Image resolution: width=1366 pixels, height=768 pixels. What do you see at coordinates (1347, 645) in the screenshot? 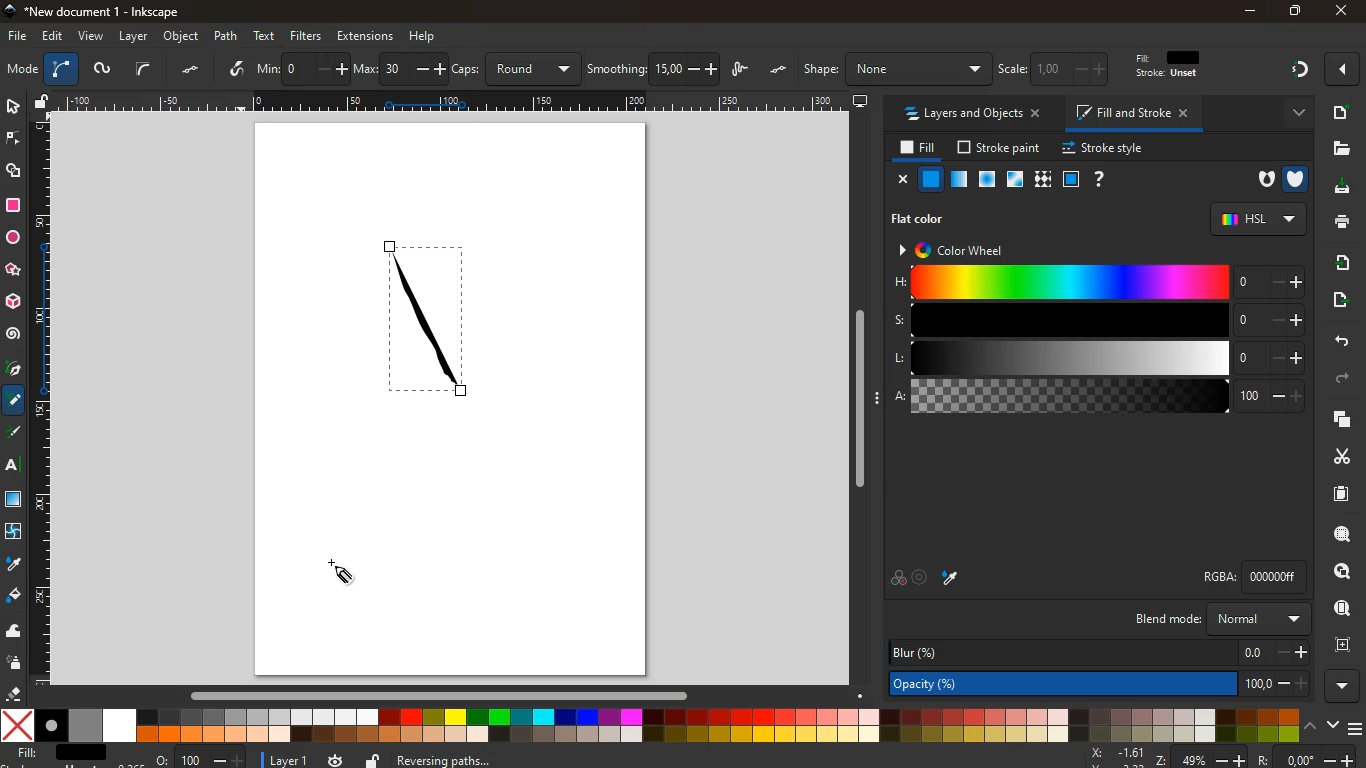
I see `frame` at bounding box center [1347, 645].